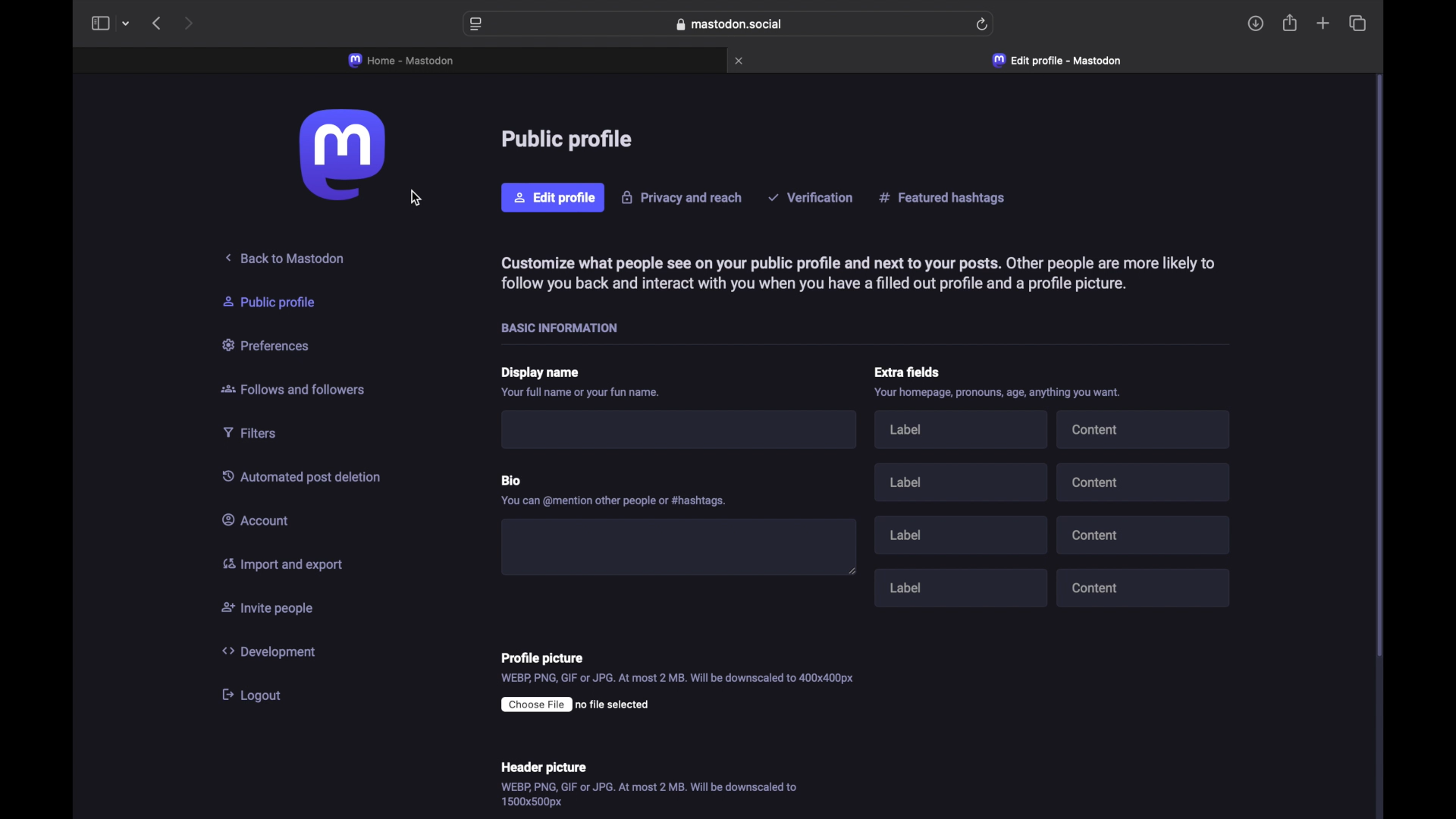 Image resolution: width=1456 pixels, height=819 pixels. I want to click on back, so click(156, 24).